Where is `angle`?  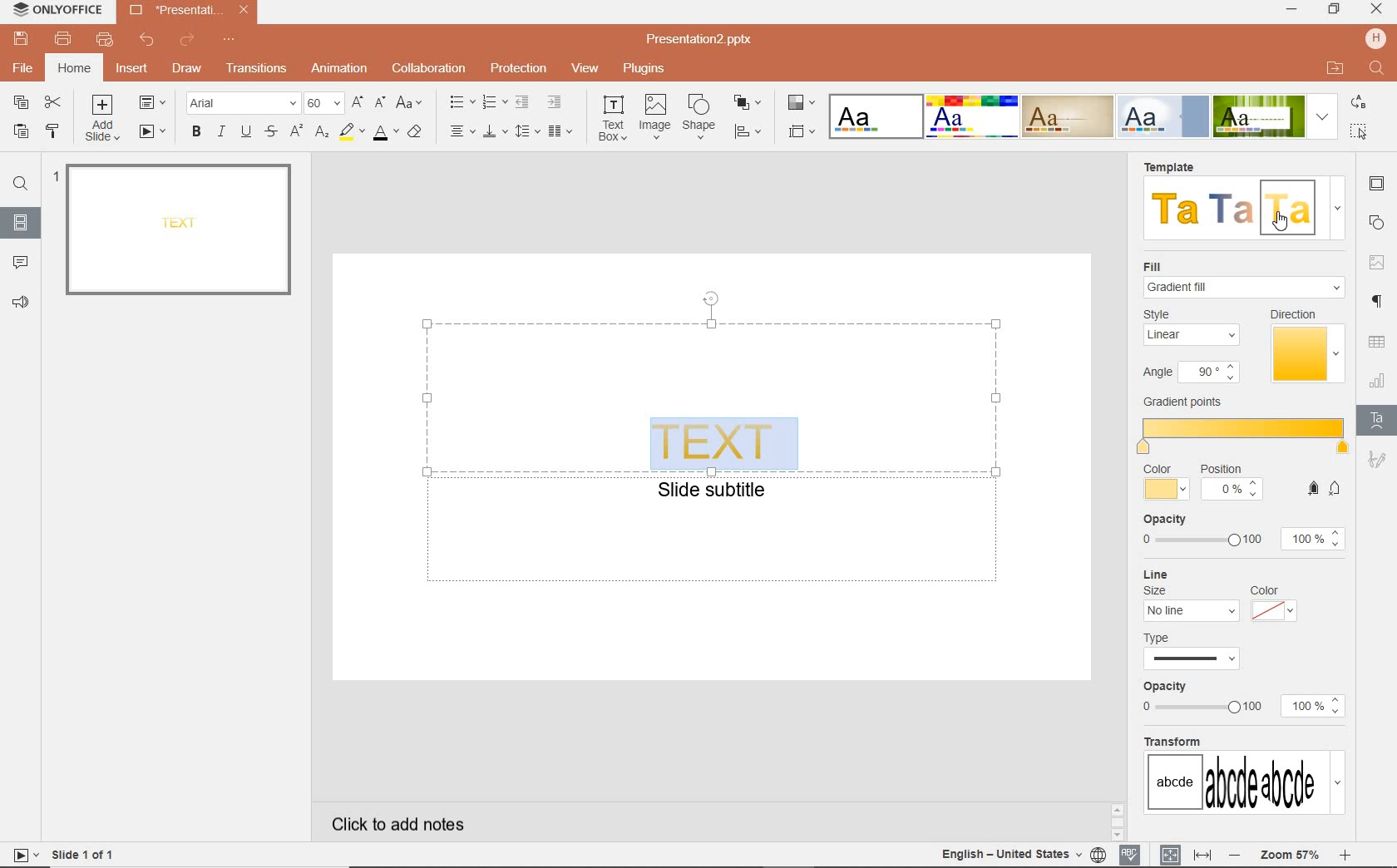 angle is located at coordinates (1194, 371).